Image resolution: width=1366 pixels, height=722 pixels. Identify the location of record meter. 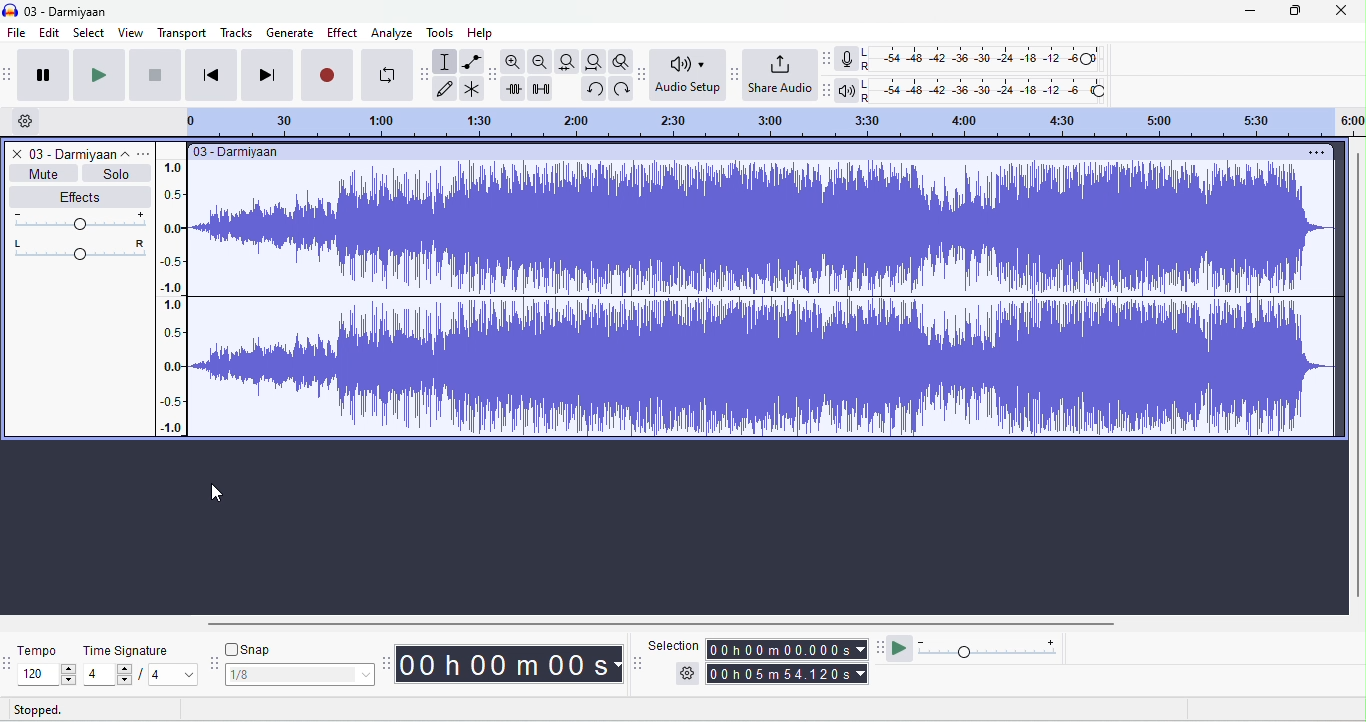
(846, 59).